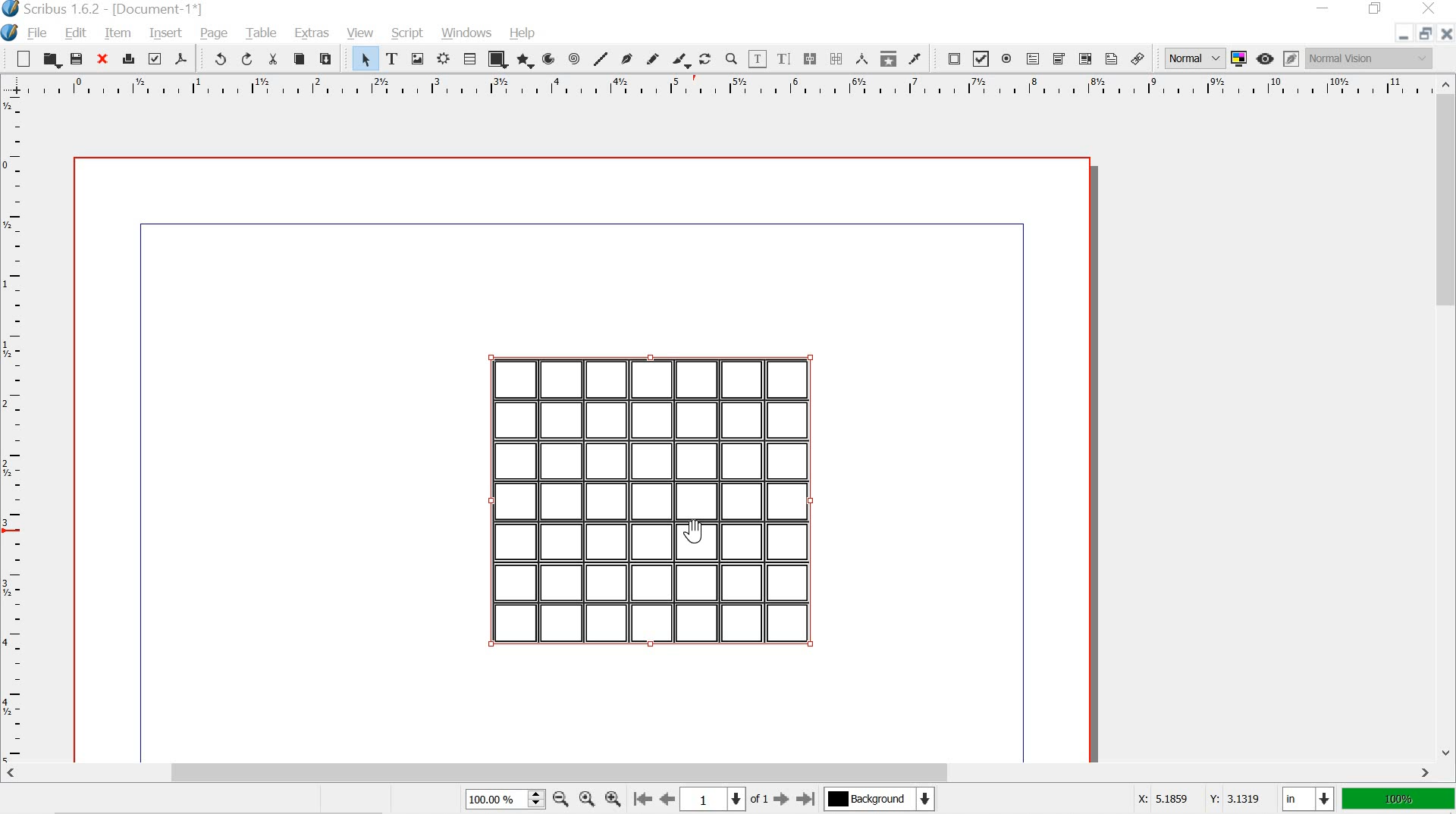 The width and height of the screenshot is (1456, 814). What do you see at coordinates (730, 58) in the screenshot?
I see `zoom in or zoom out` at bounding box center [730, 58].